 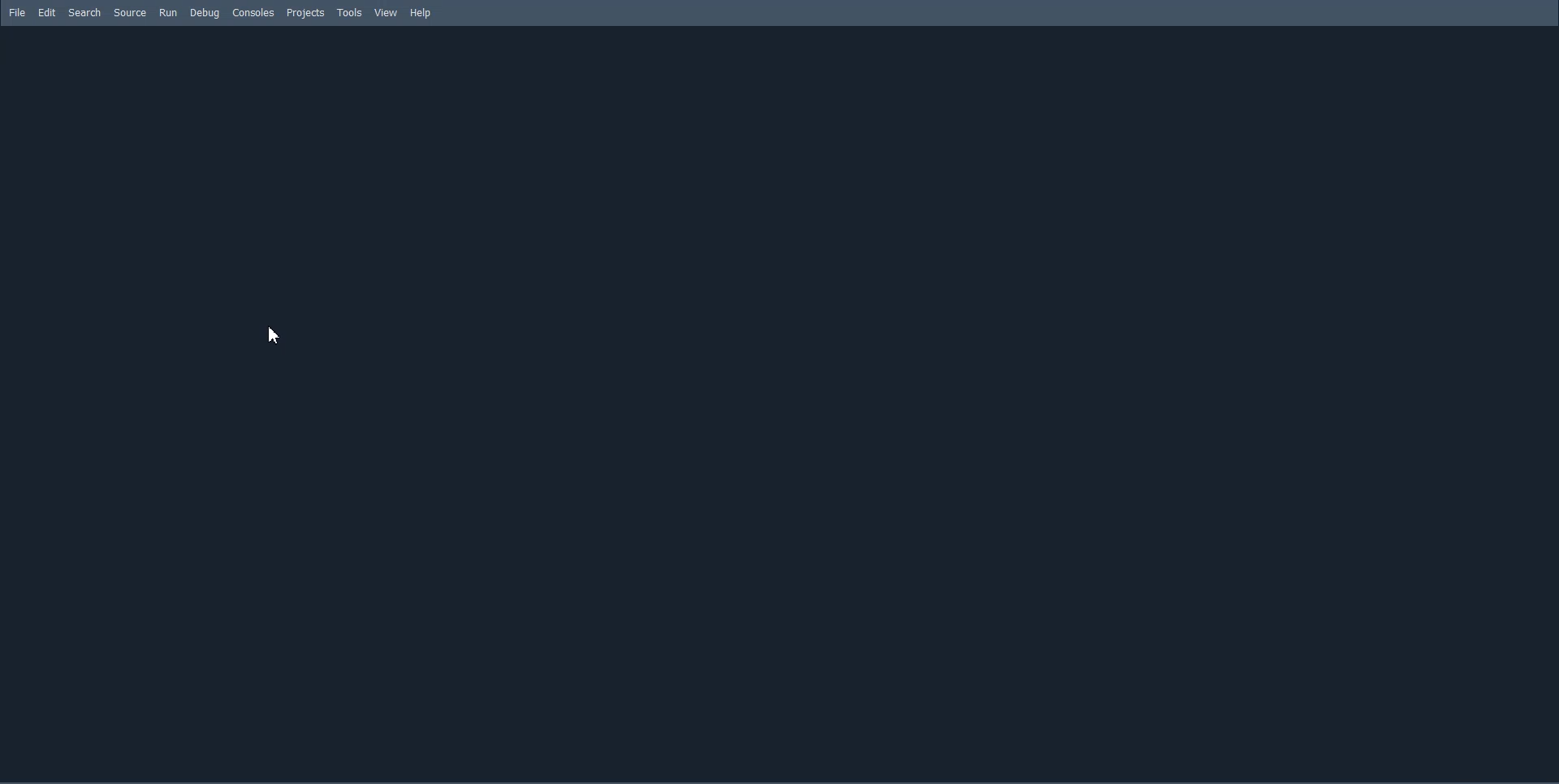 What do you see at coordinates (84, 13) in the screenshot?
I see `Search` at bounding box center [84, 13].